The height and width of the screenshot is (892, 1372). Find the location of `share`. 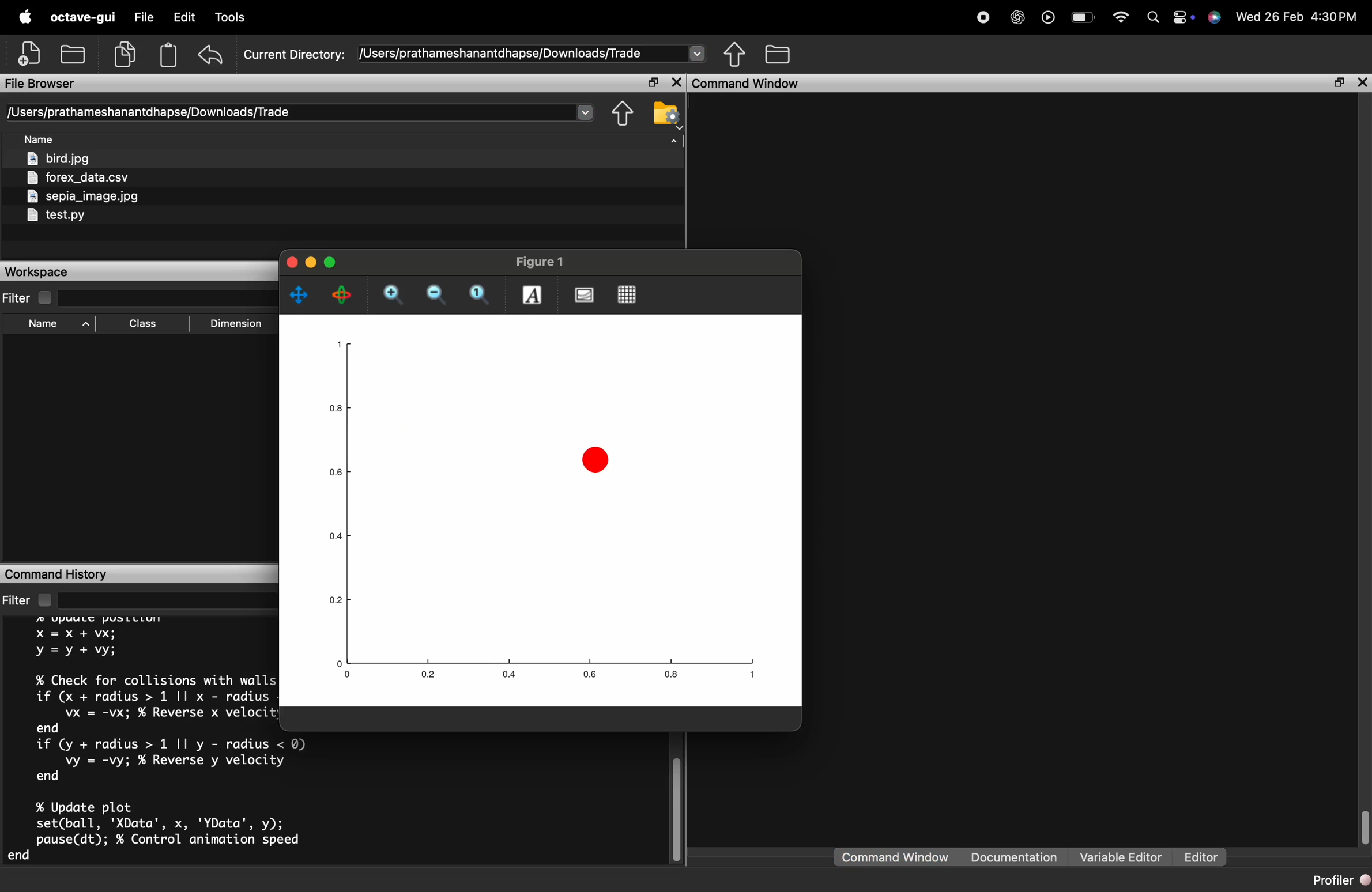

share is located at coordinates (735, 53).